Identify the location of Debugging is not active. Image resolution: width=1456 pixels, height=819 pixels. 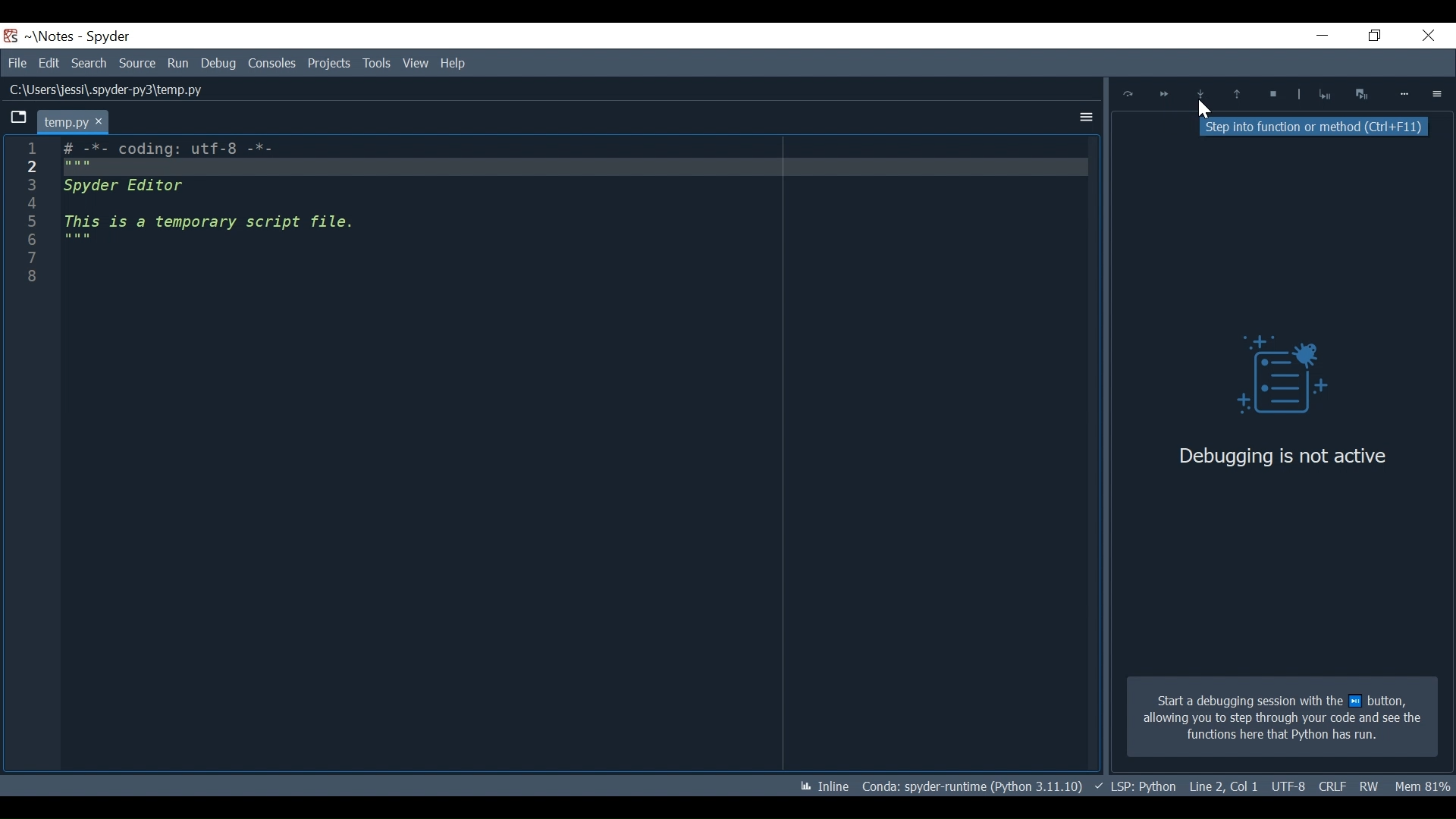
(1282, 456).